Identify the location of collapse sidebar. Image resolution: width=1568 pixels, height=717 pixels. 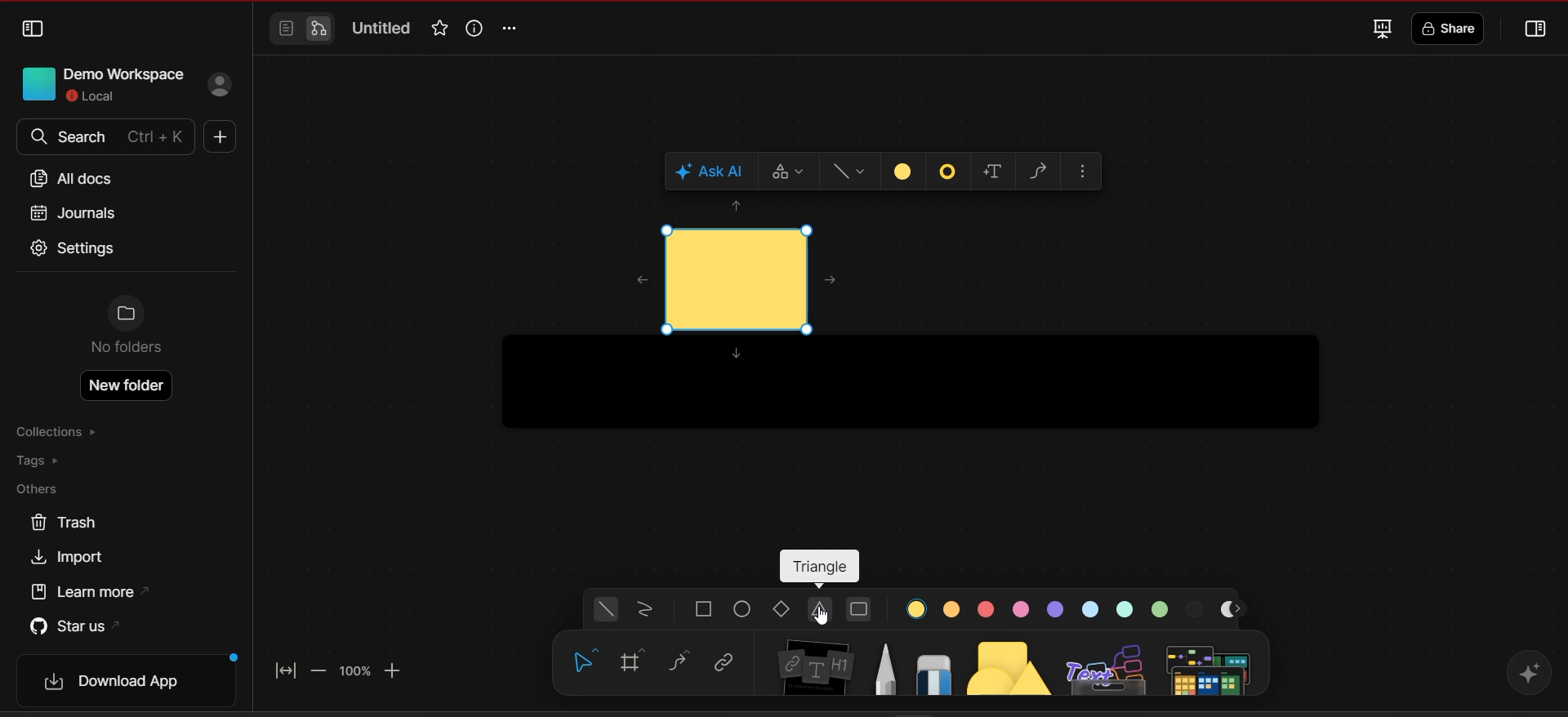
(33, 29).